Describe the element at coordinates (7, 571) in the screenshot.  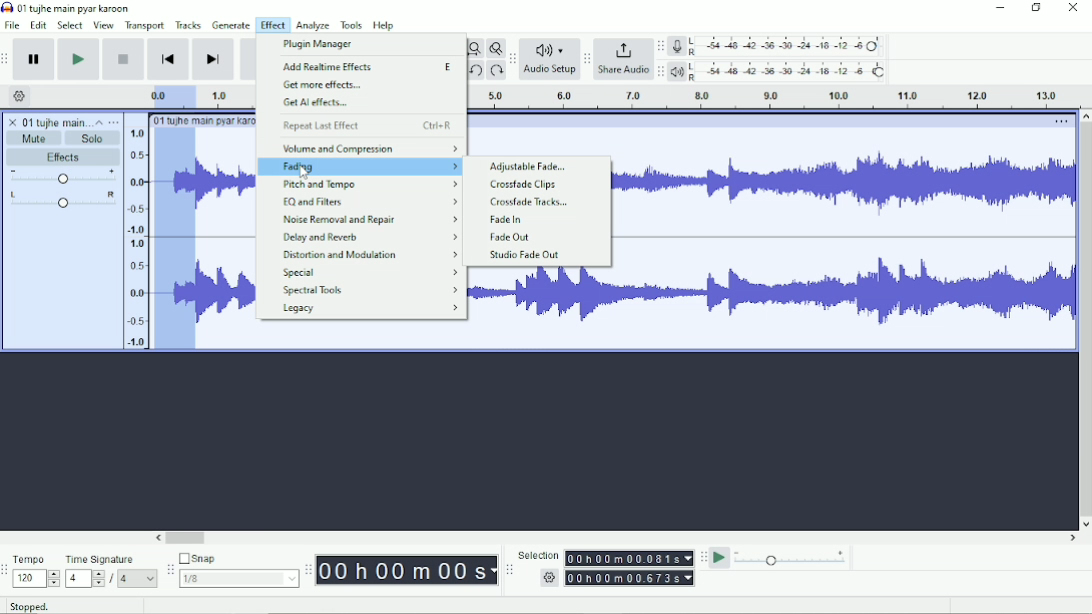
I see `Audacity time signature toolbar` at that location.